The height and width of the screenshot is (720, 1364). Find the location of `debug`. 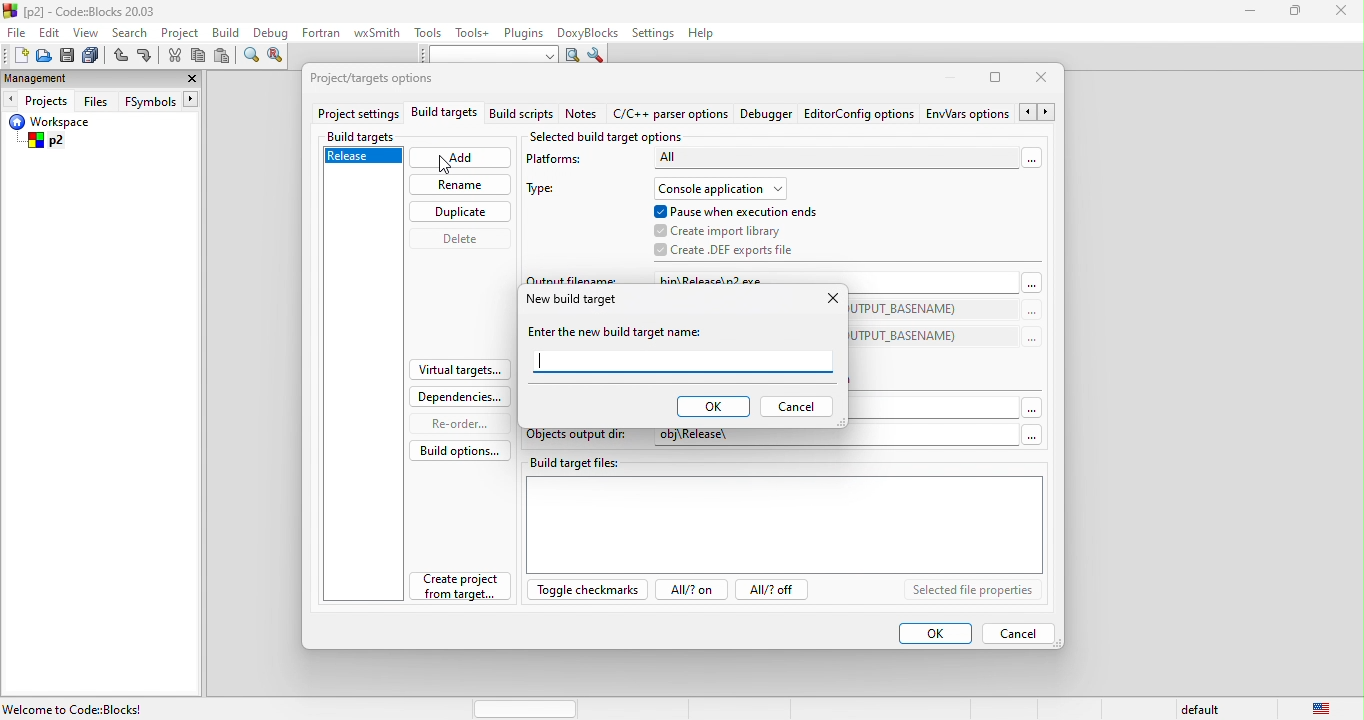

debug is located at coordinates (272, 33).